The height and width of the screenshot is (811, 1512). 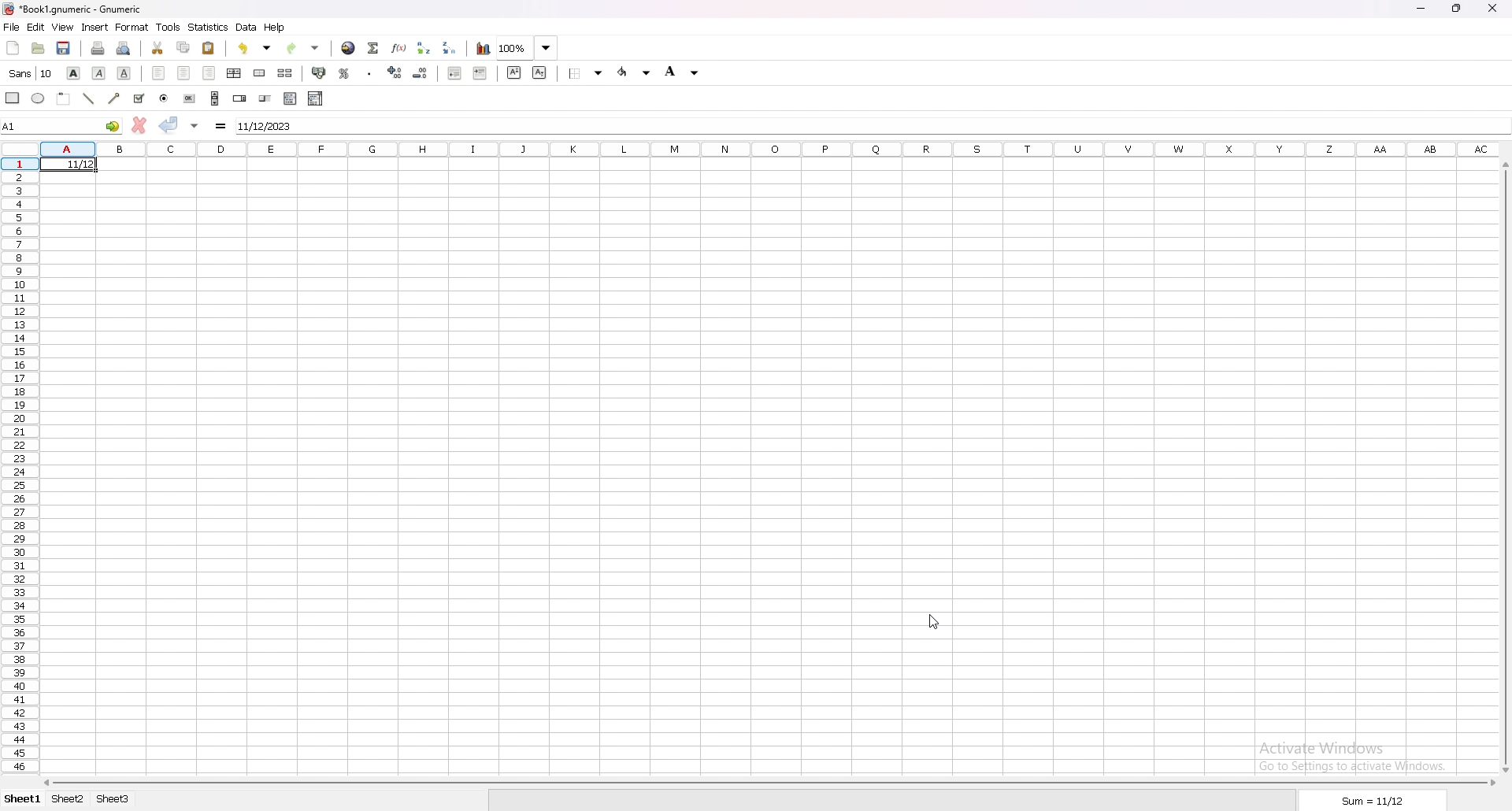 I want to click on file, so click(x=11, y=28).